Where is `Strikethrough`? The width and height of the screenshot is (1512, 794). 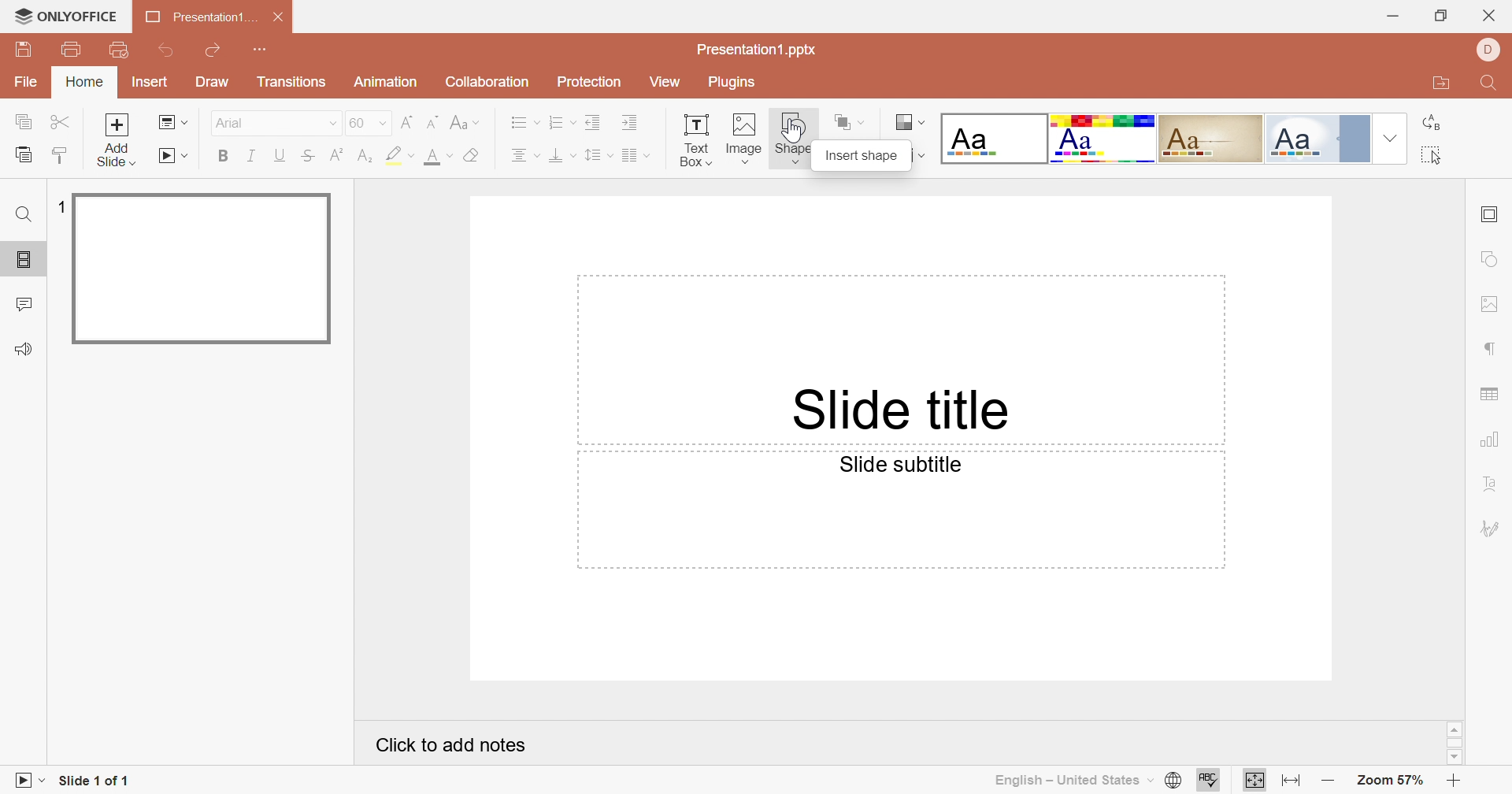
Strikethrough is located at coordinates (310, 157).